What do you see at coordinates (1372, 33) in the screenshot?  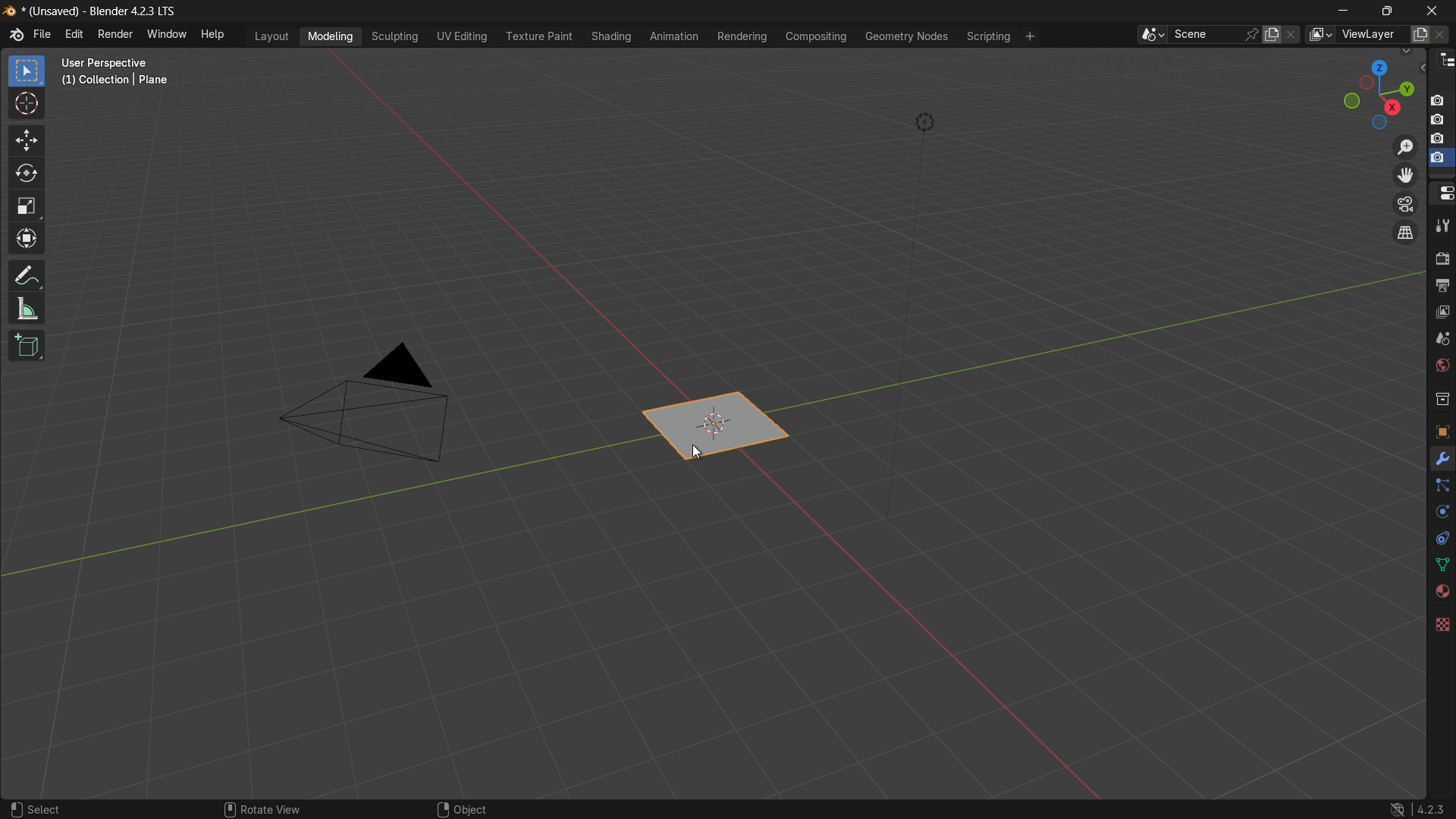 I see `view layer name` at bounding box center [1372, 33].